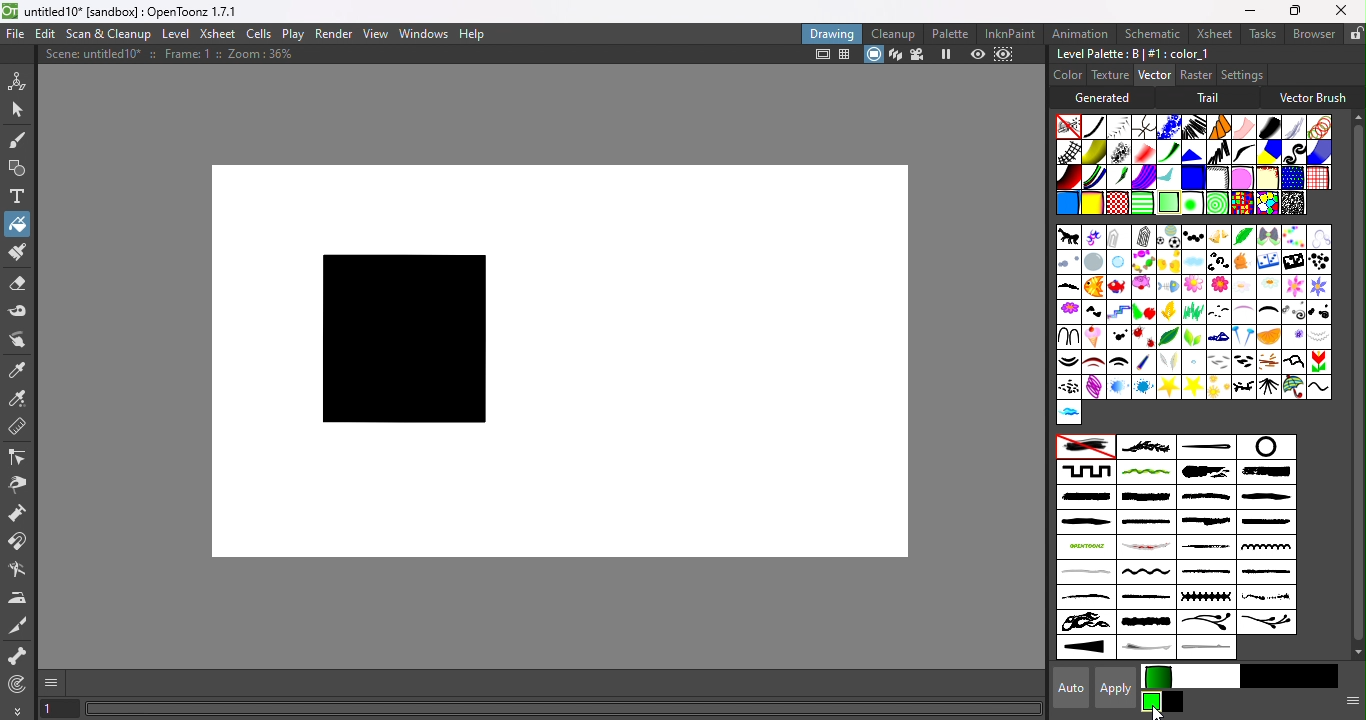  What do you see at coordinates (1293, 387) in the screenshot?
I see `Umbrella` at bounding box center [1293, 387].